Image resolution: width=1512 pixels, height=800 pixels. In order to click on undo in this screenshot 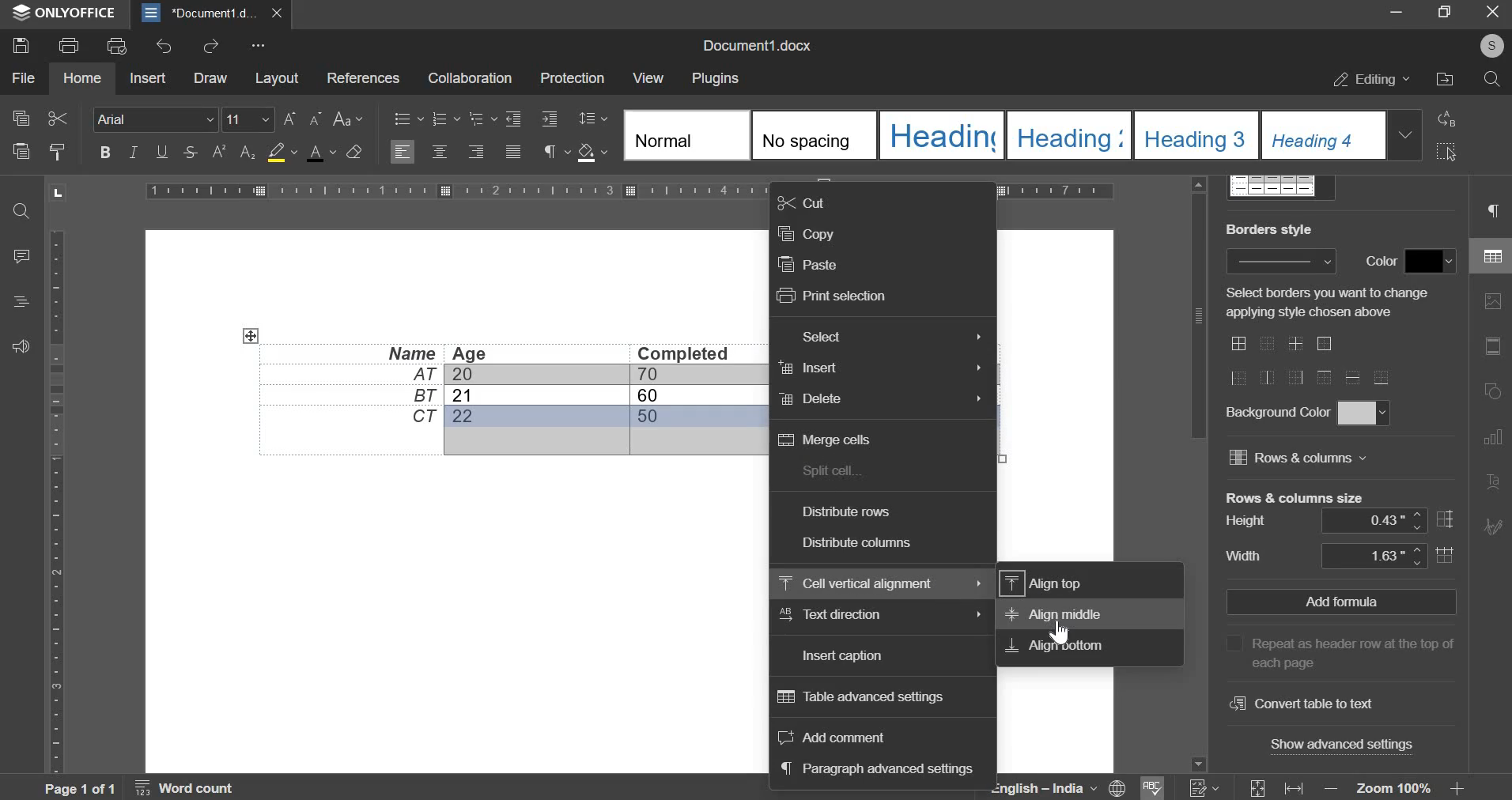, I will do `click(161, 46)`.